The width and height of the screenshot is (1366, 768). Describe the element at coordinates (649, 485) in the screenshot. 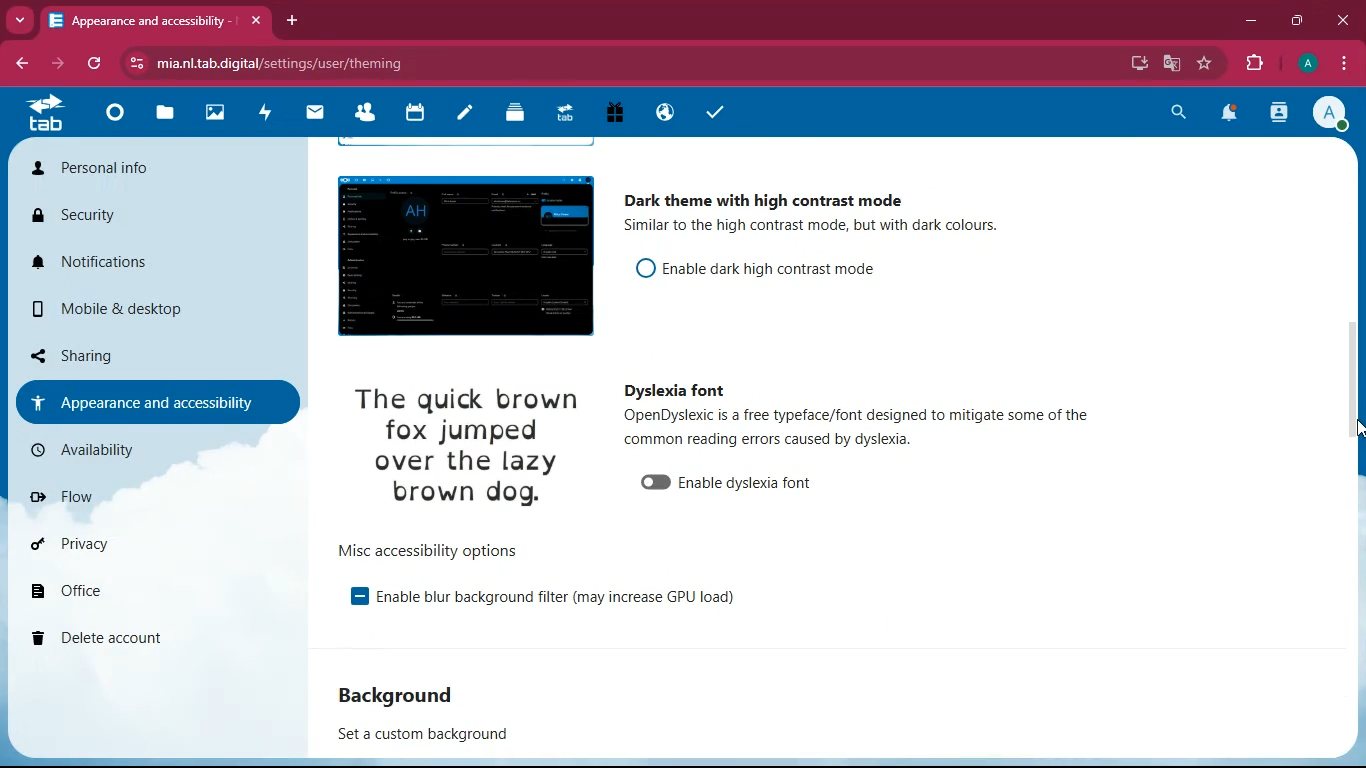

I see `unable` at that location.